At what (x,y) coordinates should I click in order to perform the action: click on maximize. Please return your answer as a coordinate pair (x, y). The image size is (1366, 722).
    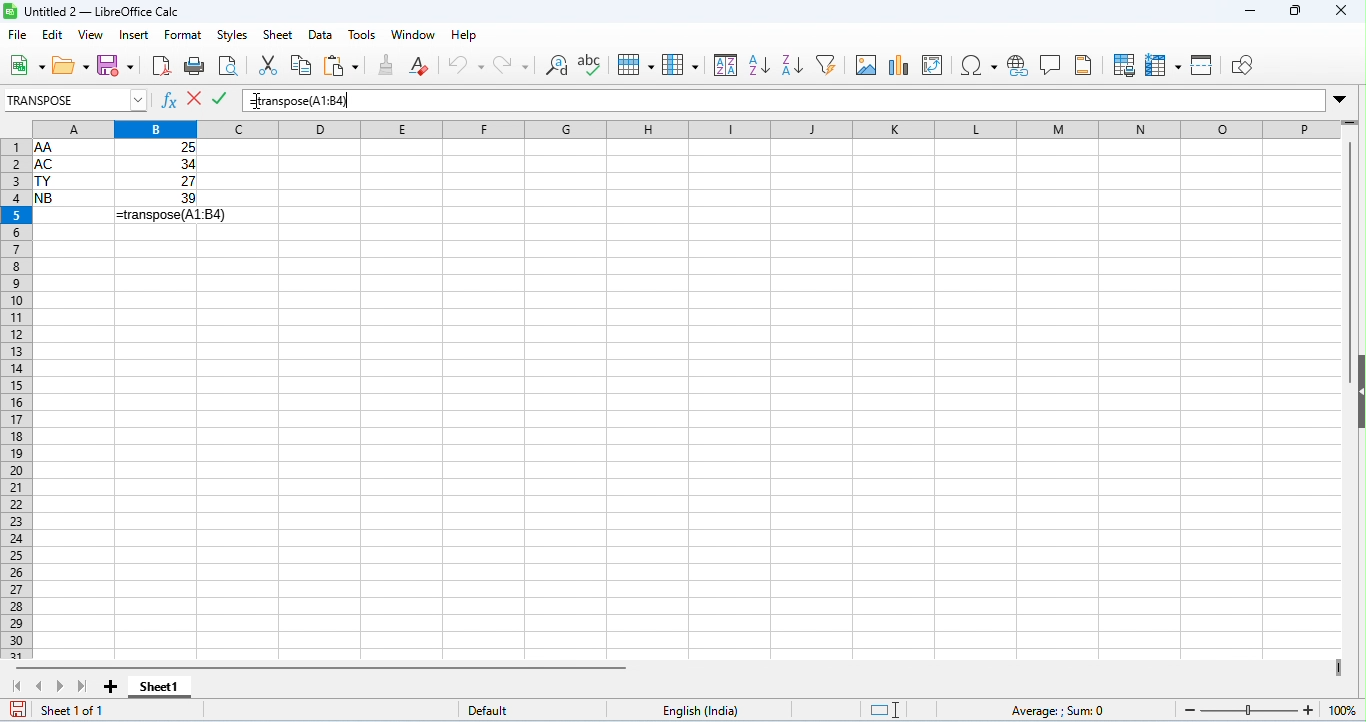
    Looking at the image, I should click on (1296, 12).